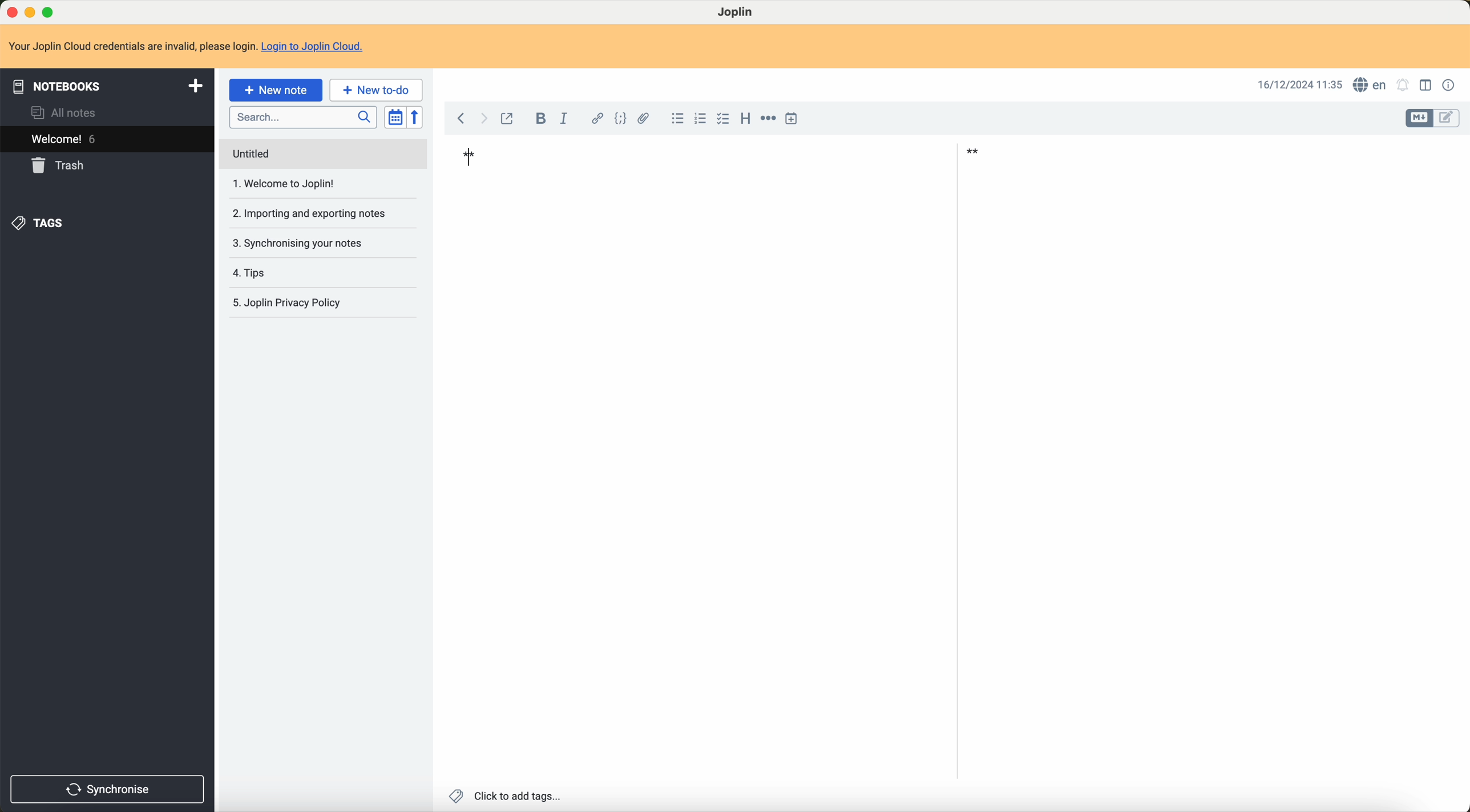  I want to click on synchronise, so click(109, 789).